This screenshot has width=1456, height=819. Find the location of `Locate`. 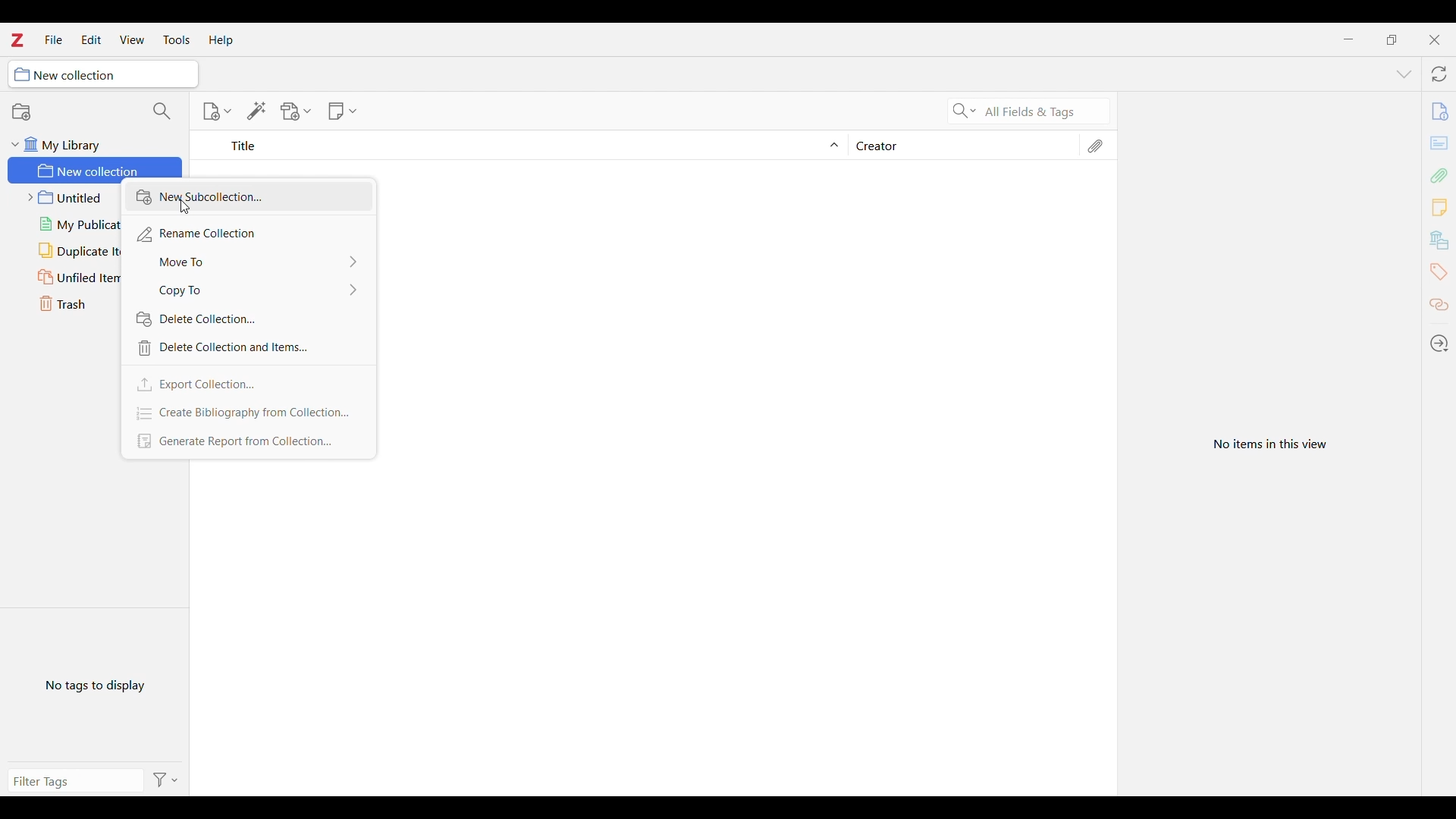

Locate is located at coordinates (1439, 344).